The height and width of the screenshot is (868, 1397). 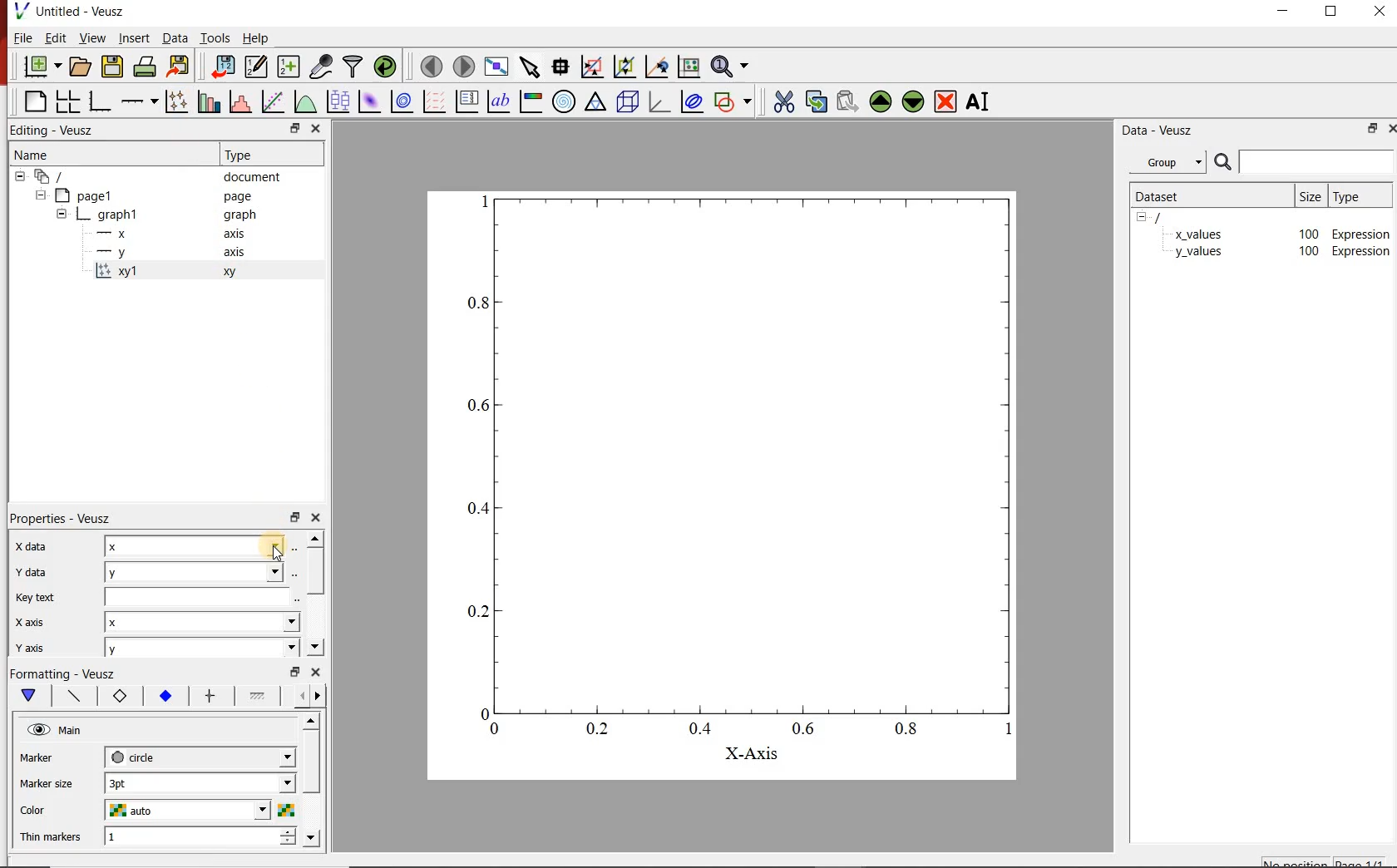 I want to click on add shape, so click(x=733, y=102).